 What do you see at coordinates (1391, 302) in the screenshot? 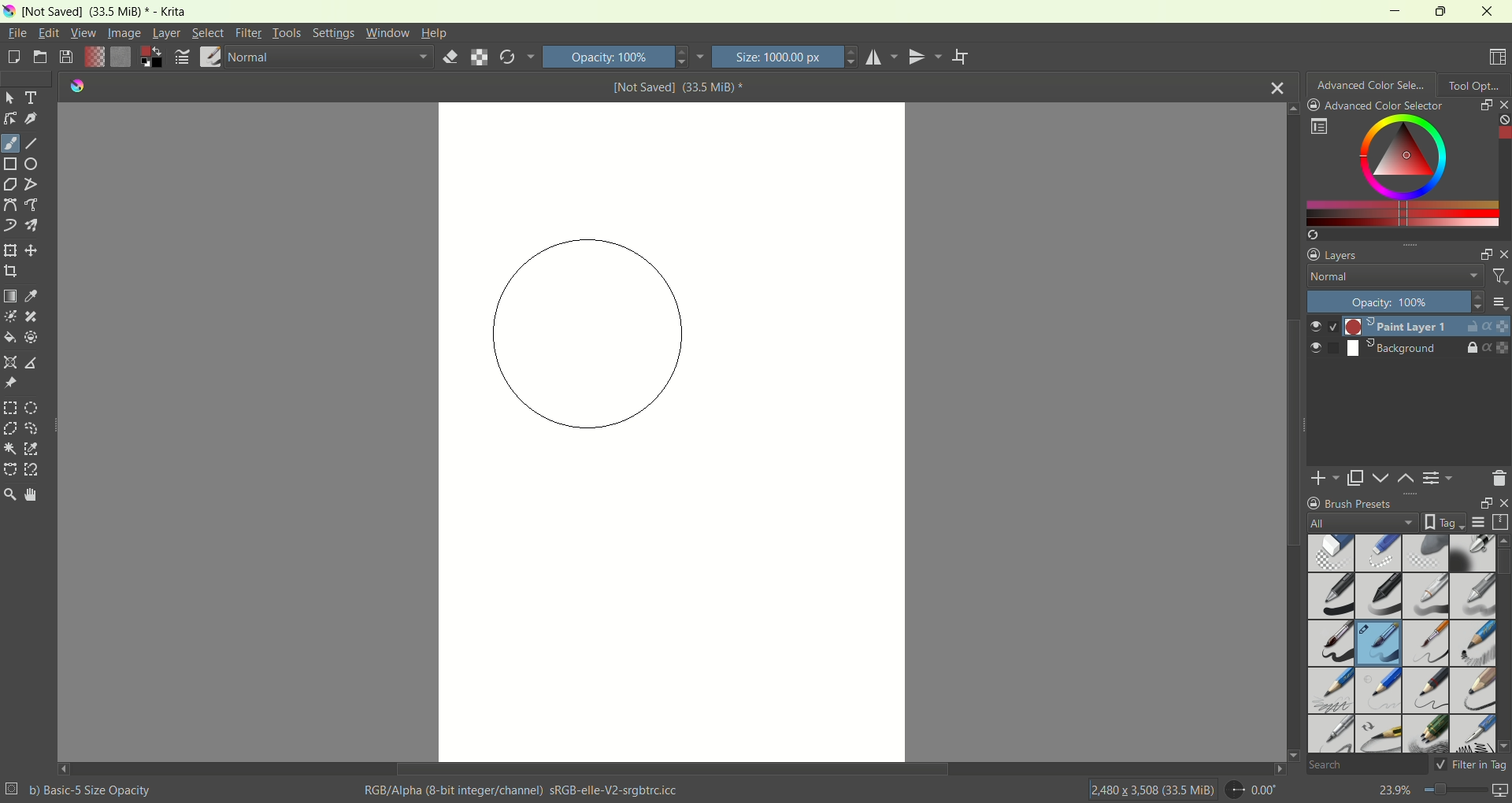
I see `Opacity 100%` at bounding box center [1391, 302].